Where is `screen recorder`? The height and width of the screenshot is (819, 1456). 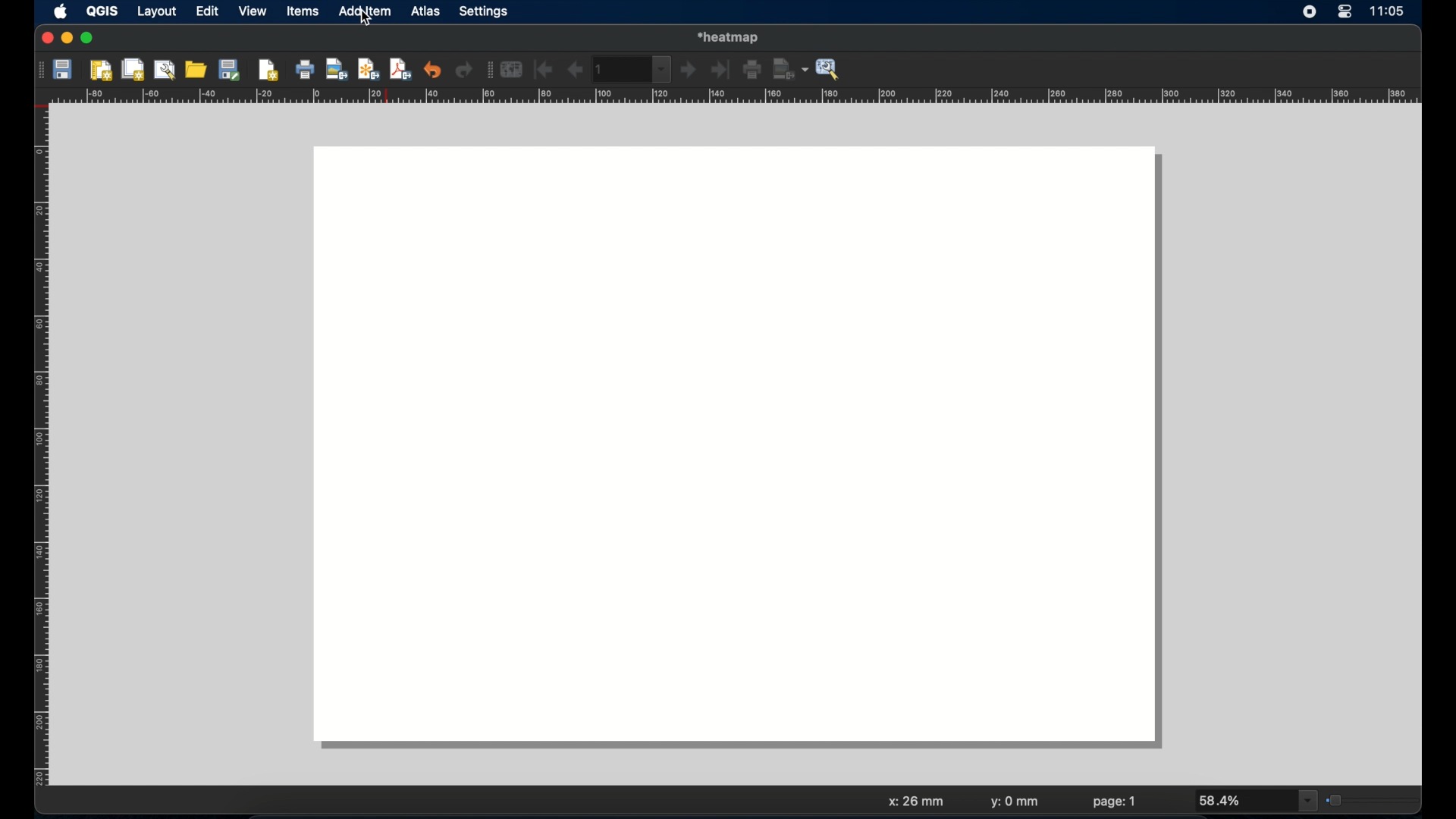
screen recorder is located at coordinates (1310, 13).